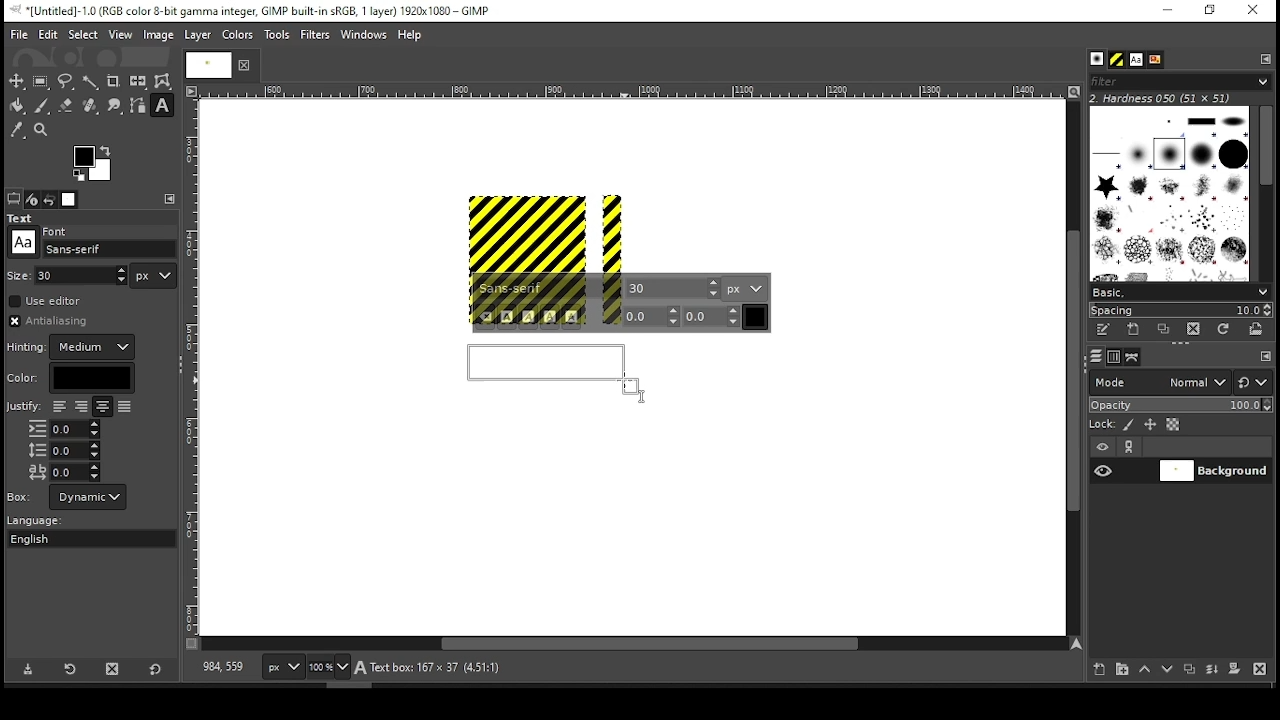 This screenshot has height=720, width=1280. I want to click on device status, so click(32, 199).